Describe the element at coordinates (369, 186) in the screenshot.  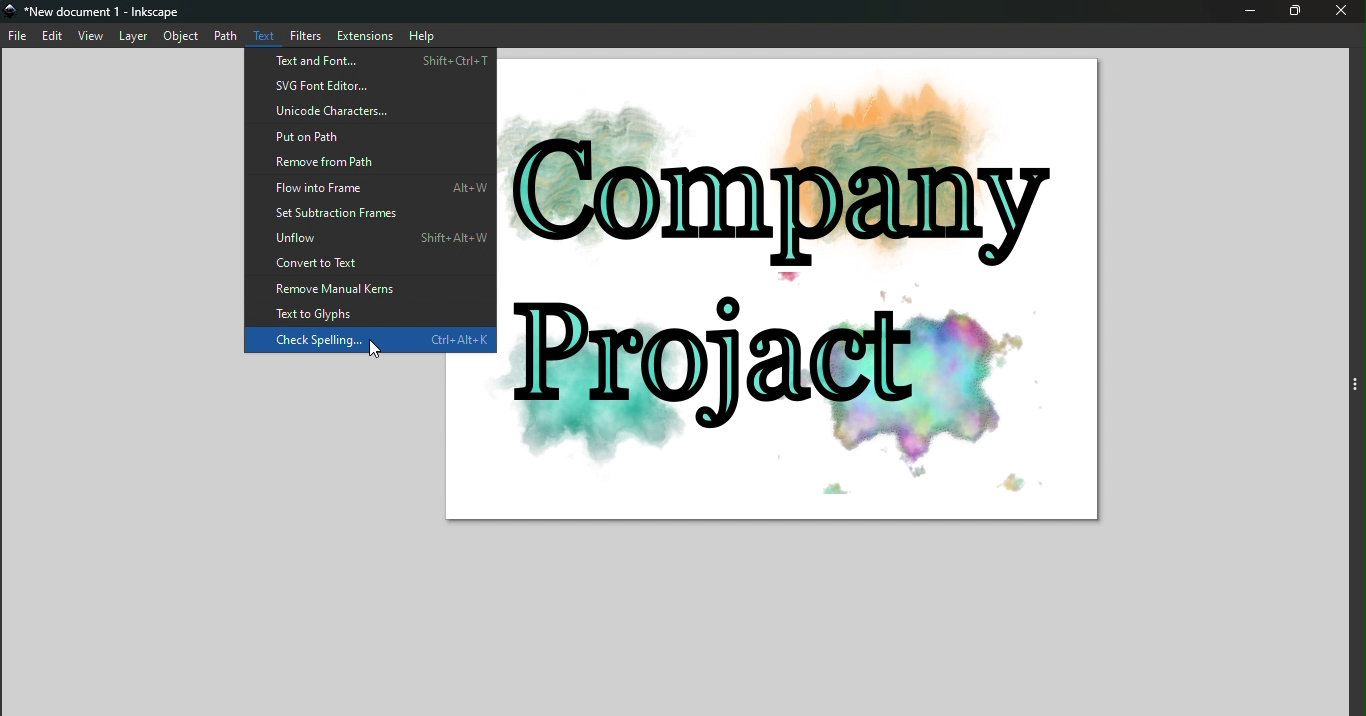
I see `Flow into frame` at that location.